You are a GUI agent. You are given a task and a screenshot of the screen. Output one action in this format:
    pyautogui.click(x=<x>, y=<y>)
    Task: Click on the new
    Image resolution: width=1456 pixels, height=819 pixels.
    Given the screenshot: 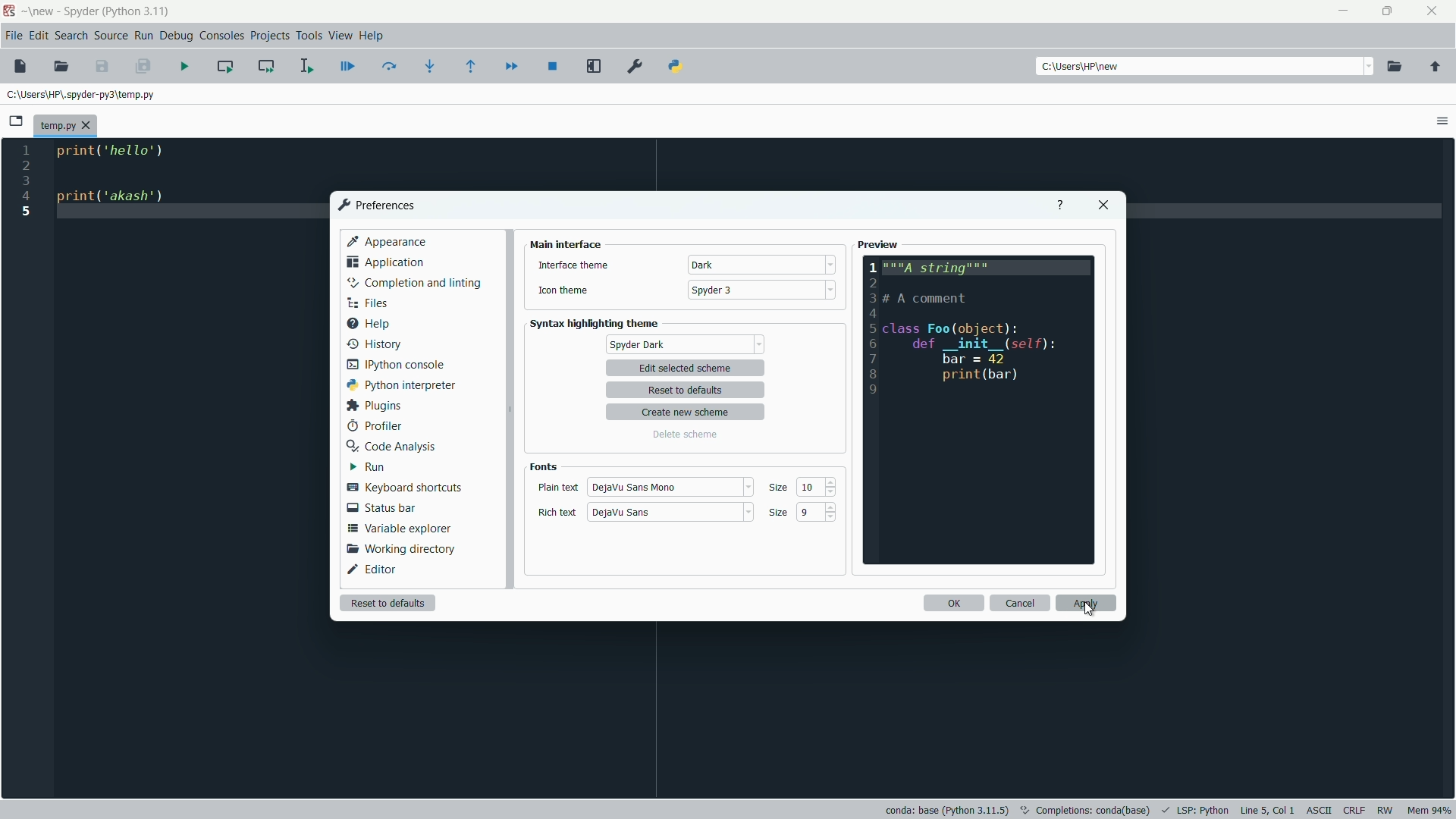 What is the action you would take?
    pyautogui.click(x=42, y=11)
    